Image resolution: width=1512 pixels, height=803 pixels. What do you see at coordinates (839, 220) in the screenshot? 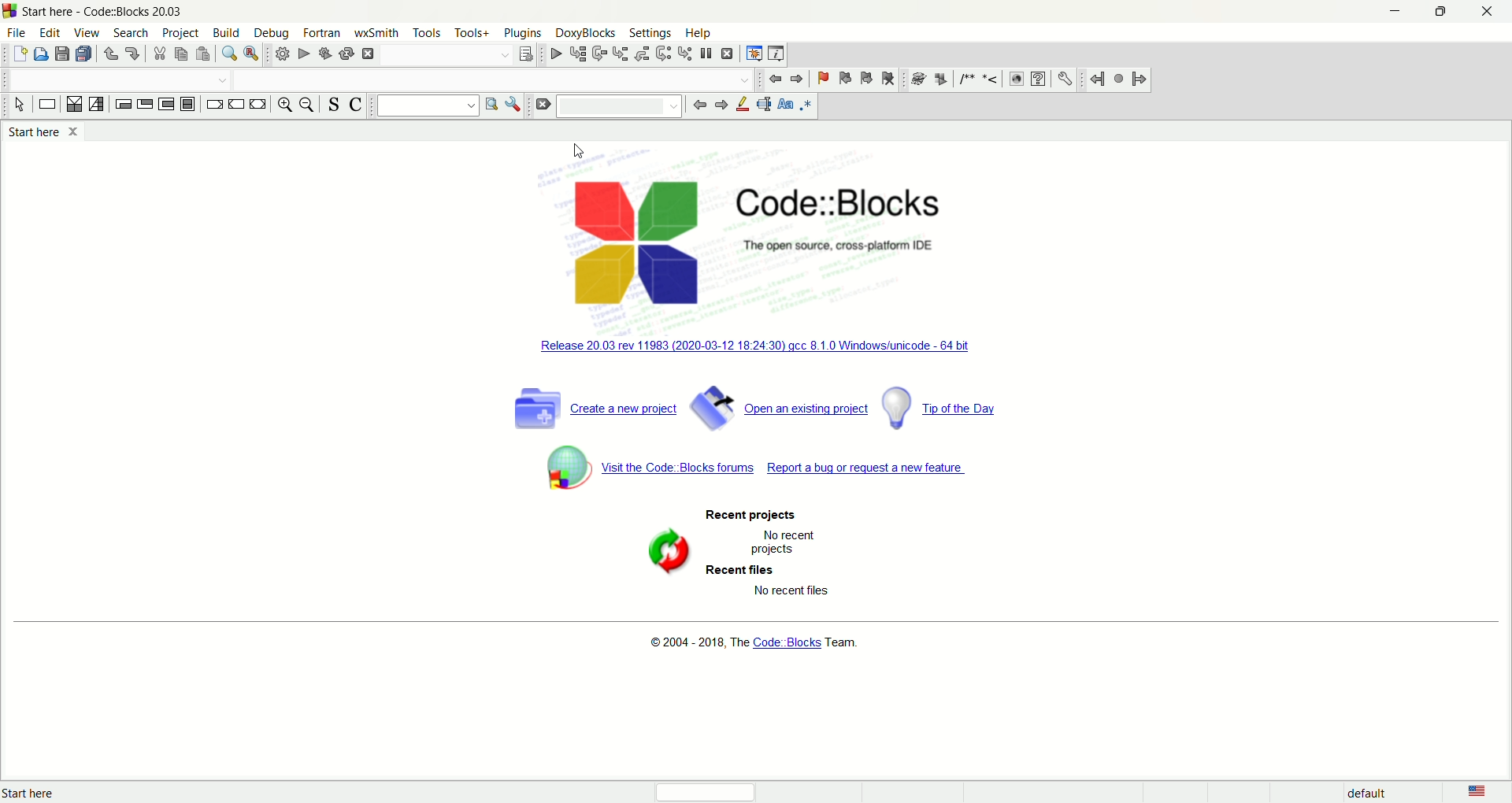
I see `Code::block` at bounding box center [839, 220].